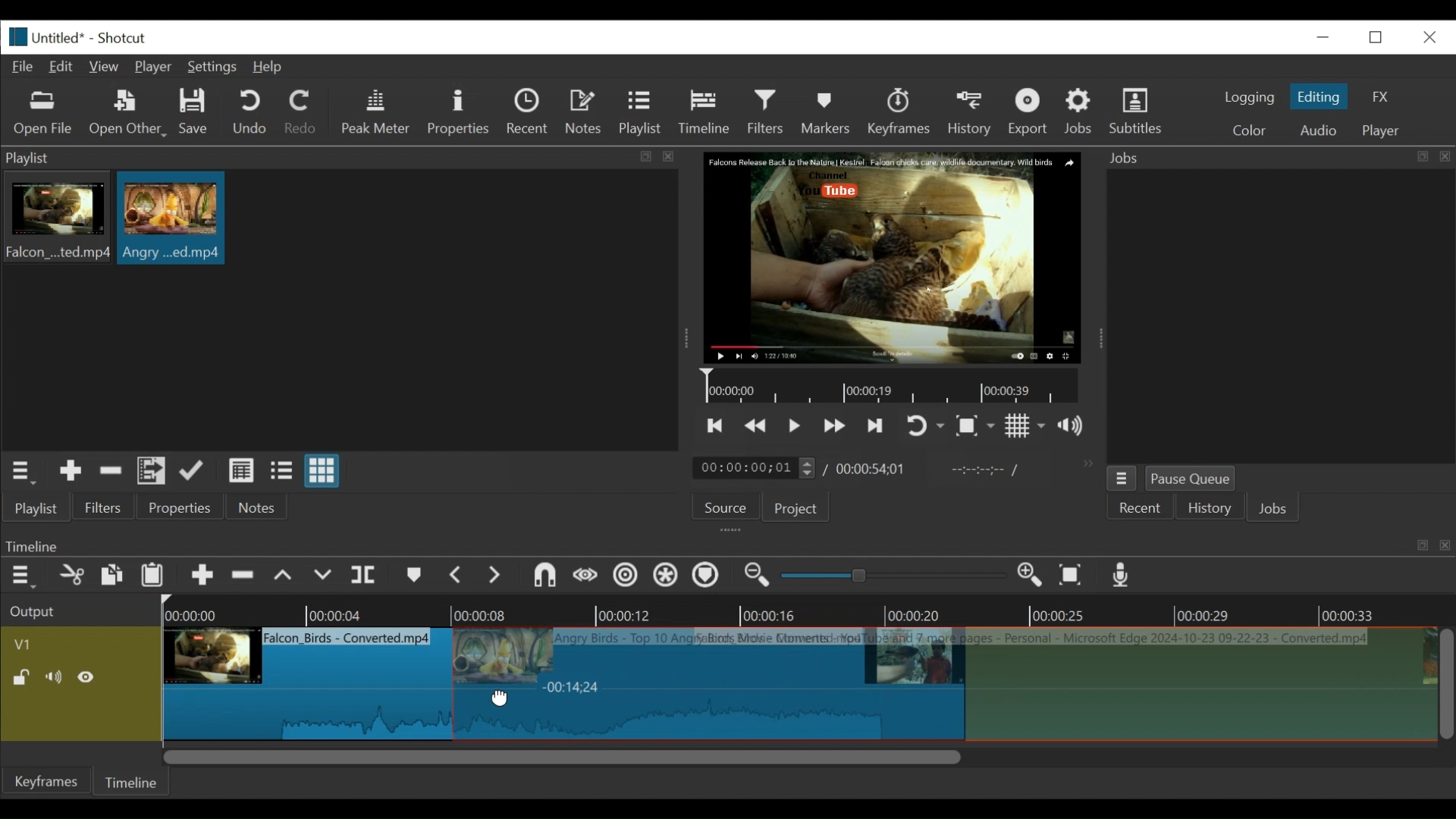 The width and height of the screenshot is (1456, 819). I want to click on Open Other, so click(129, 114).